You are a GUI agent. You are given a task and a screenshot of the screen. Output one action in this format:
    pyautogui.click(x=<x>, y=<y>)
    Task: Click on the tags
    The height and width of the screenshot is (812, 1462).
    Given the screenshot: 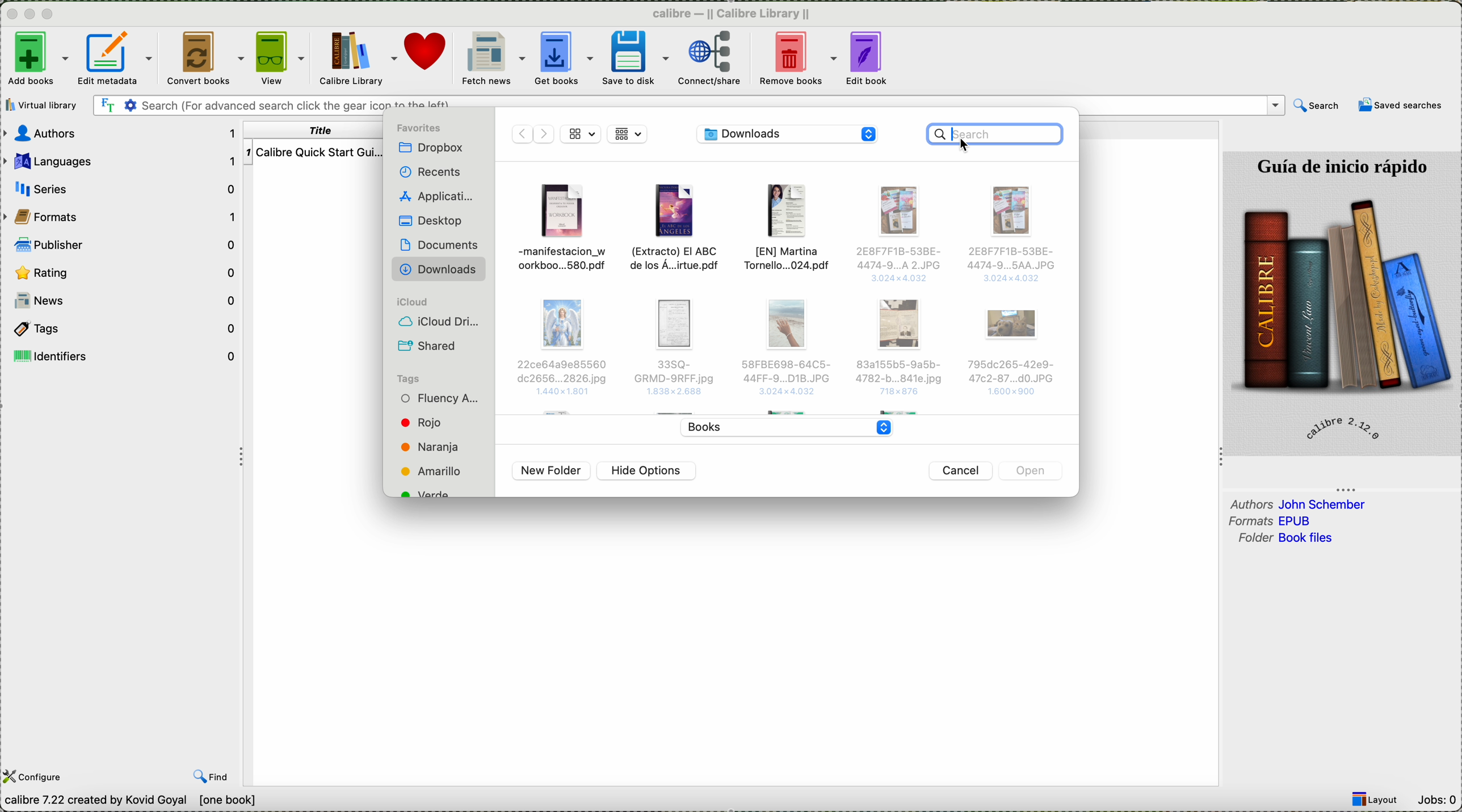 What is the action you would take?
    pyautogui.click(x=440, y=444)
    